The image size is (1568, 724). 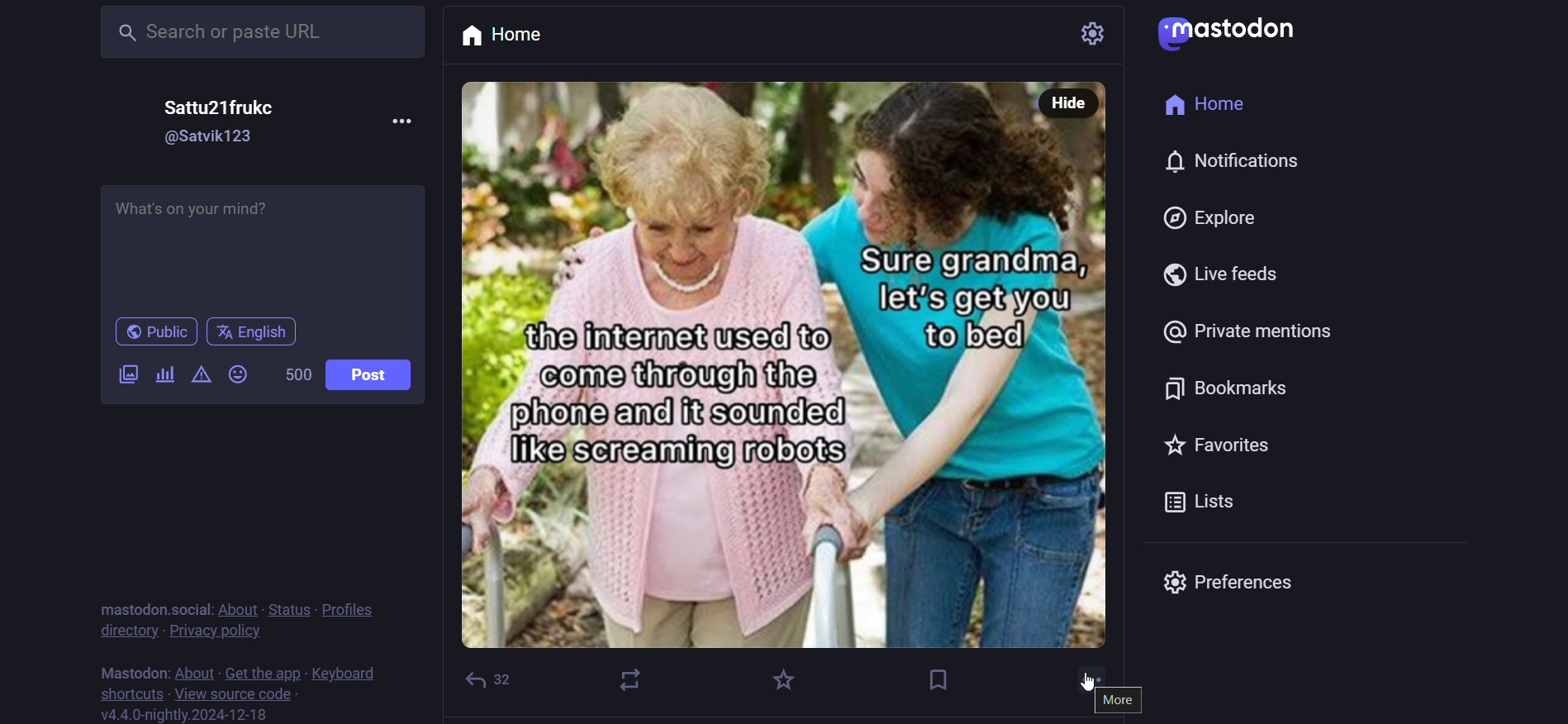 What do you see at coordinates (1064, 31) in the screenshot?
I see `setting` at bounding box center [1064, 31].